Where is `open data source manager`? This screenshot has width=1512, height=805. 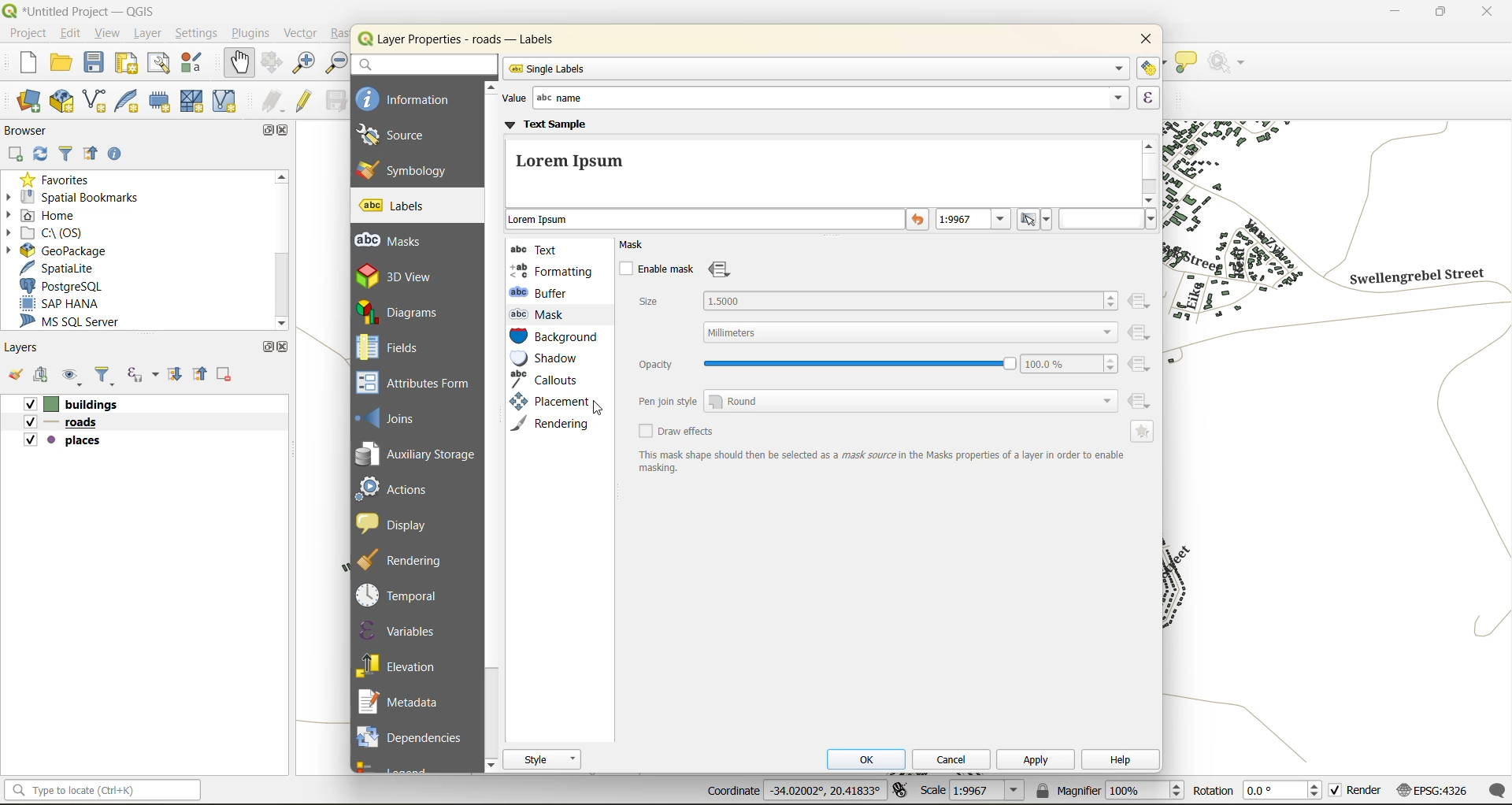 open data source manager is located at coordinates (24, 103).